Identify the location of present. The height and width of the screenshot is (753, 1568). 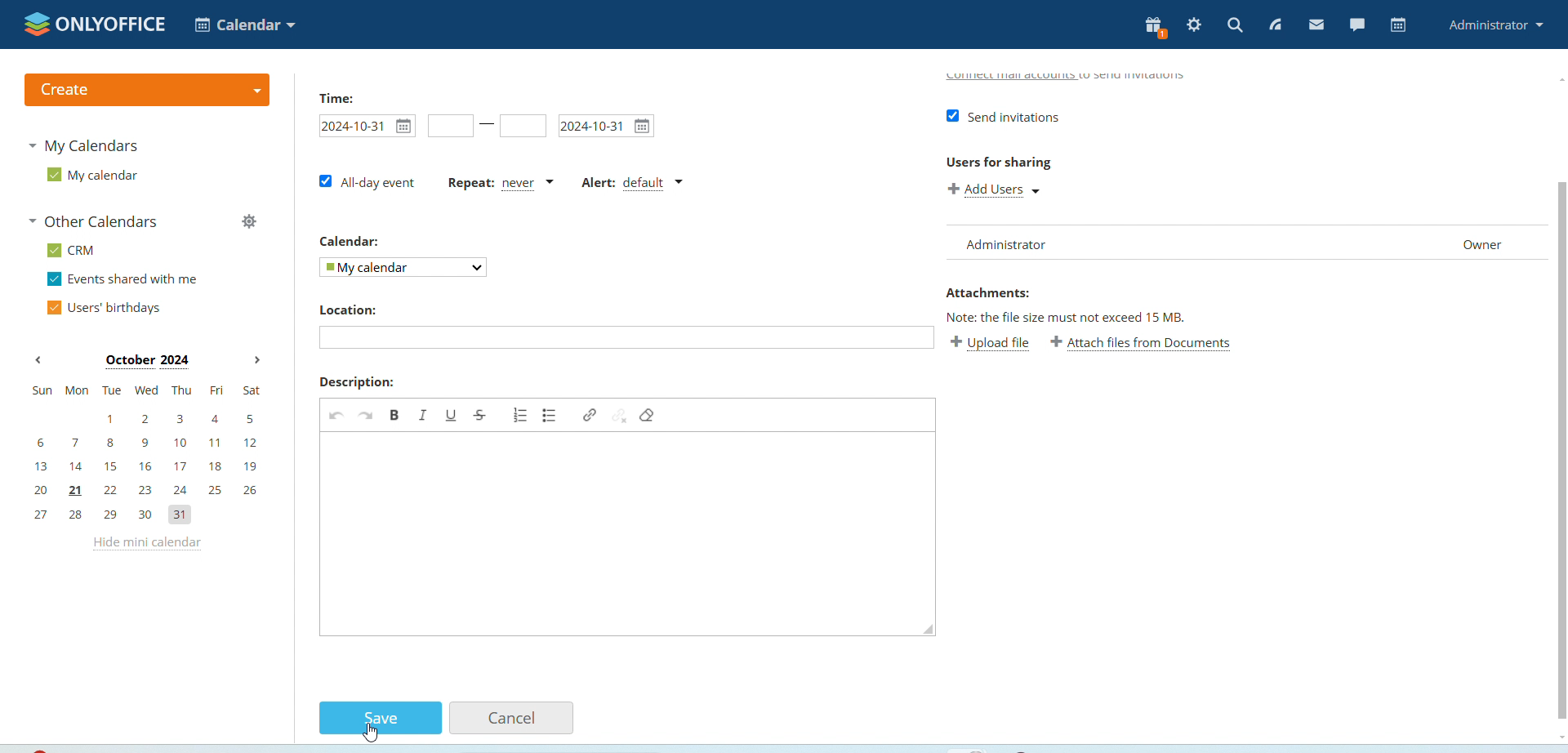
(1156, 28).